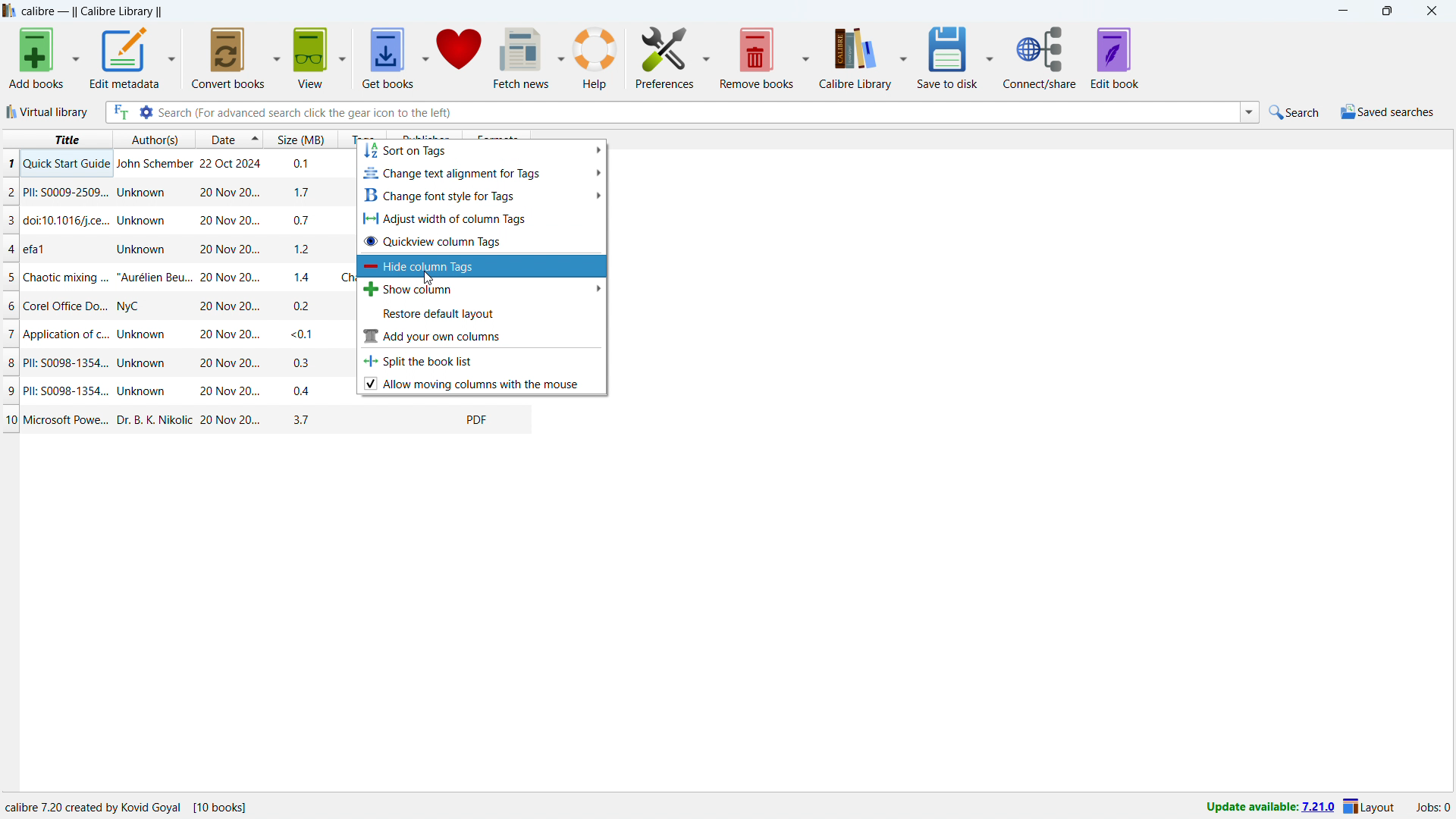 The height and width of the screenshot is (819, 1456). I want to click on remove books, so click(757, 57).